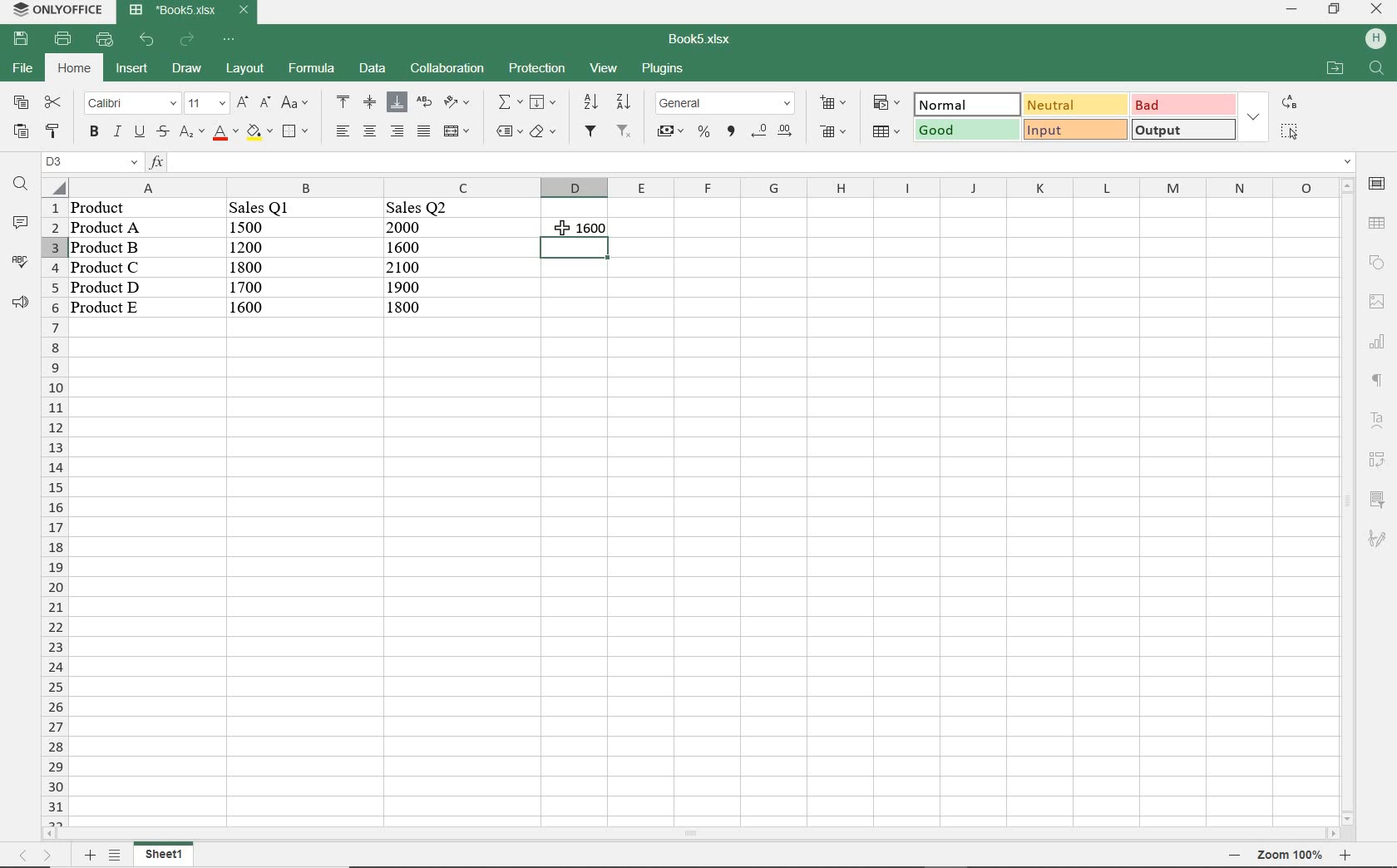 The width and height of the screenshot is (1397, 868). What do you see at coordinates (753, 163) in the screenshot?
I see `input functions` at bounding box center [753, 163].